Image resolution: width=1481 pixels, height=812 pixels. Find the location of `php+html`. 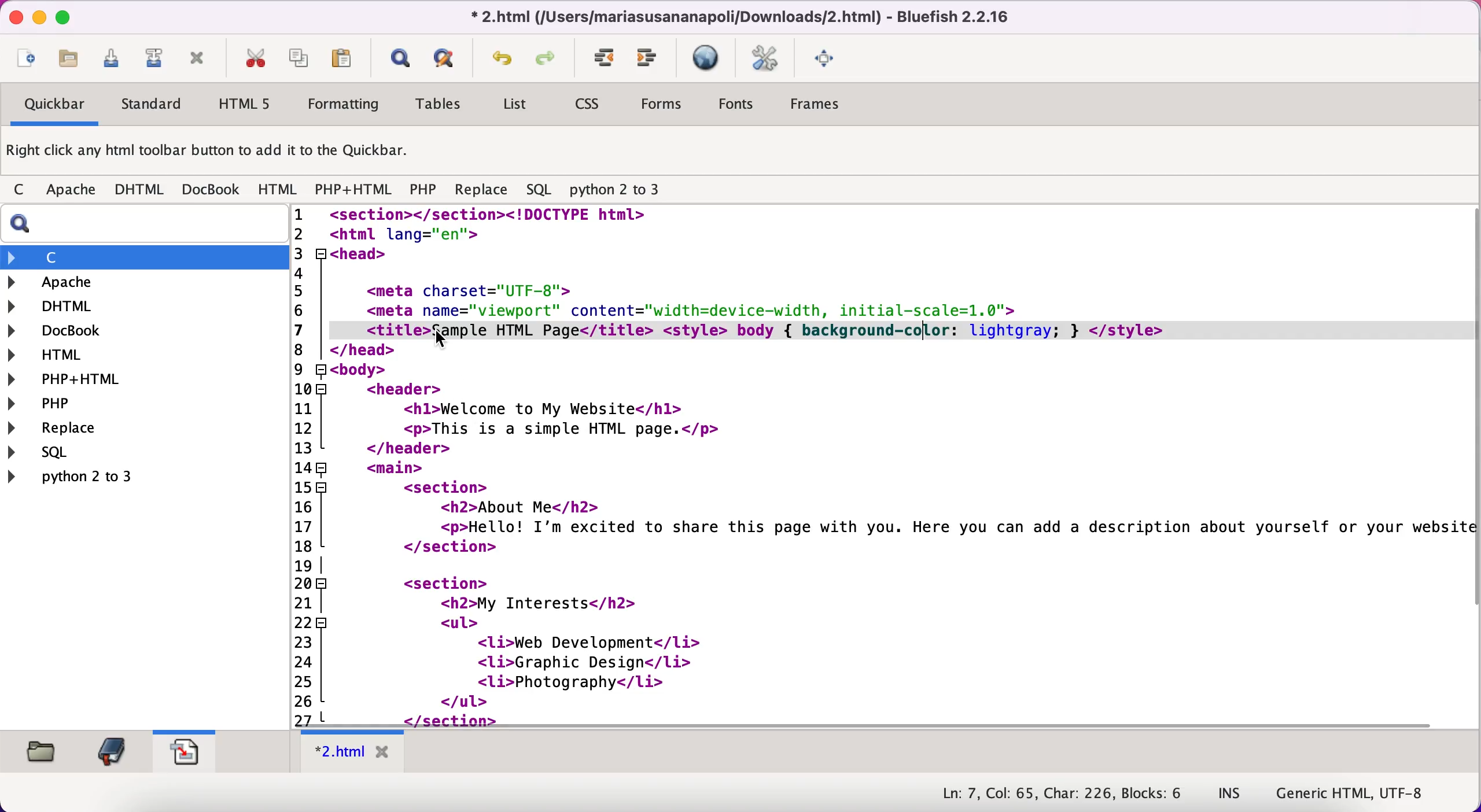

php+html is located at coordinates (73, 380).